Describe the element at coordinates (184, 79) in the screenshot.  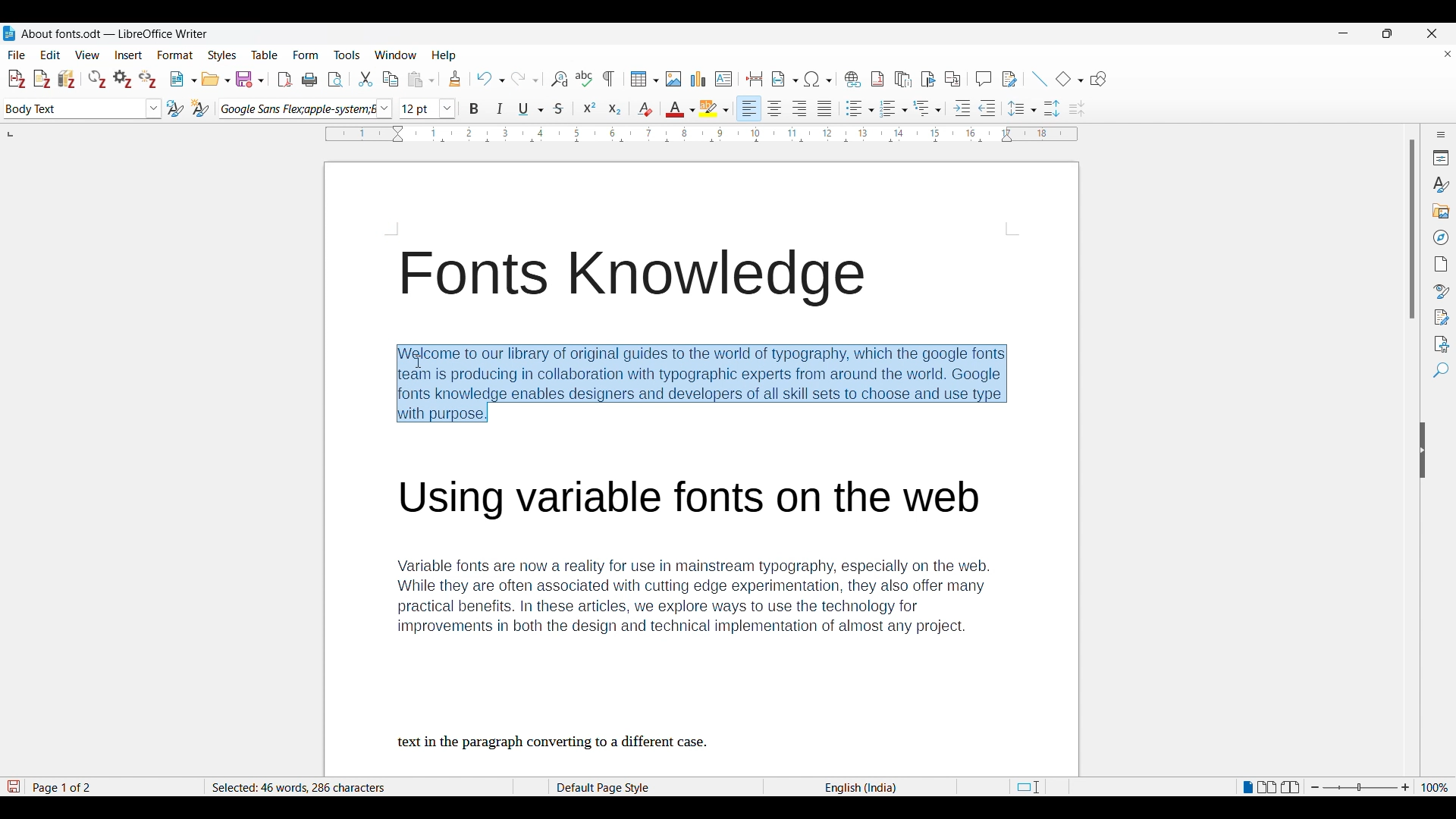
I see `New options` at that location.